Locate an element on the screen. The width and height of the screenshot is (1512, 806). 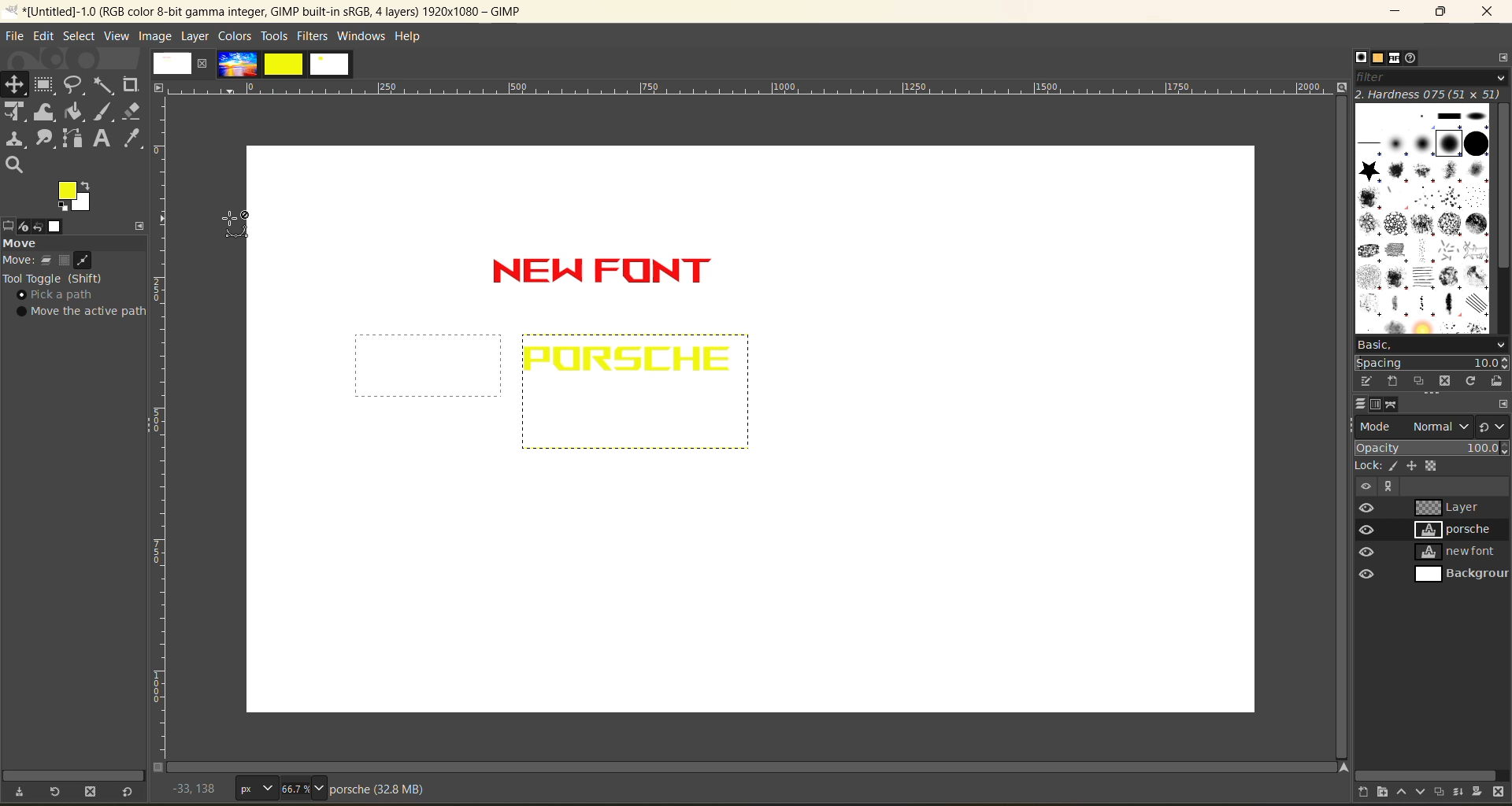
reset to default values is located at coordinates (128, 793).